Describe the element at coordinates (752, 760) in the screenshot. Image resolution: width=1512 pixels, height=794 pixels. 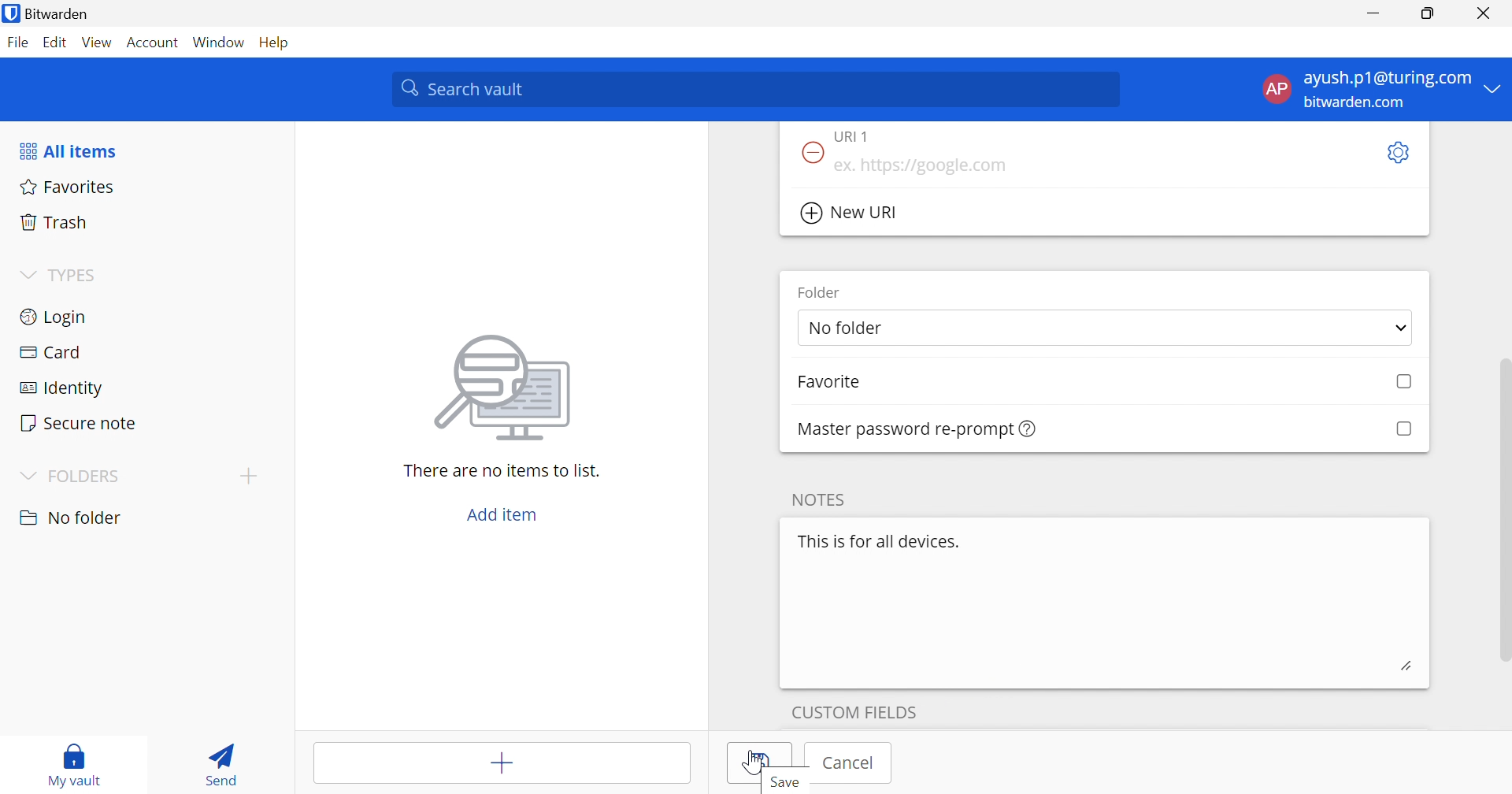
I see `Cursor` at that location.